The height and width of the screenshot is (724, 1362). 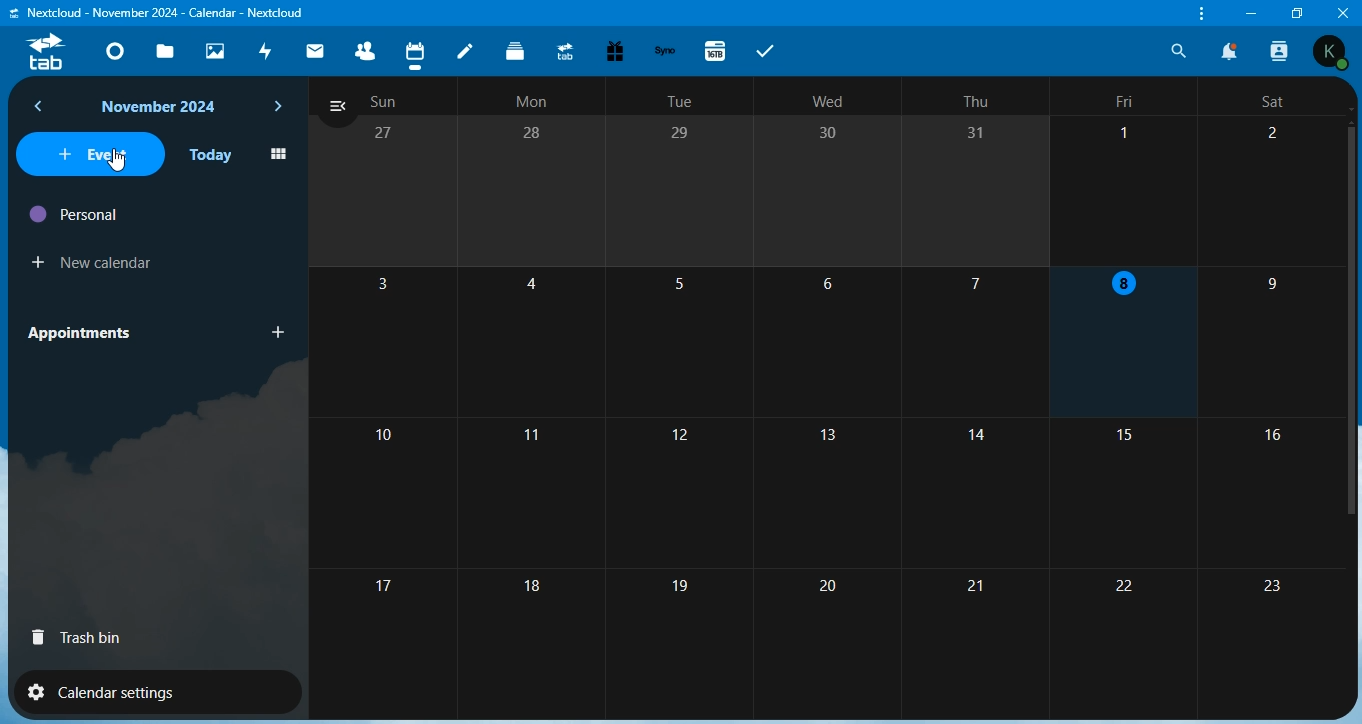 I want to click on tab, so click(x=55, y=52).